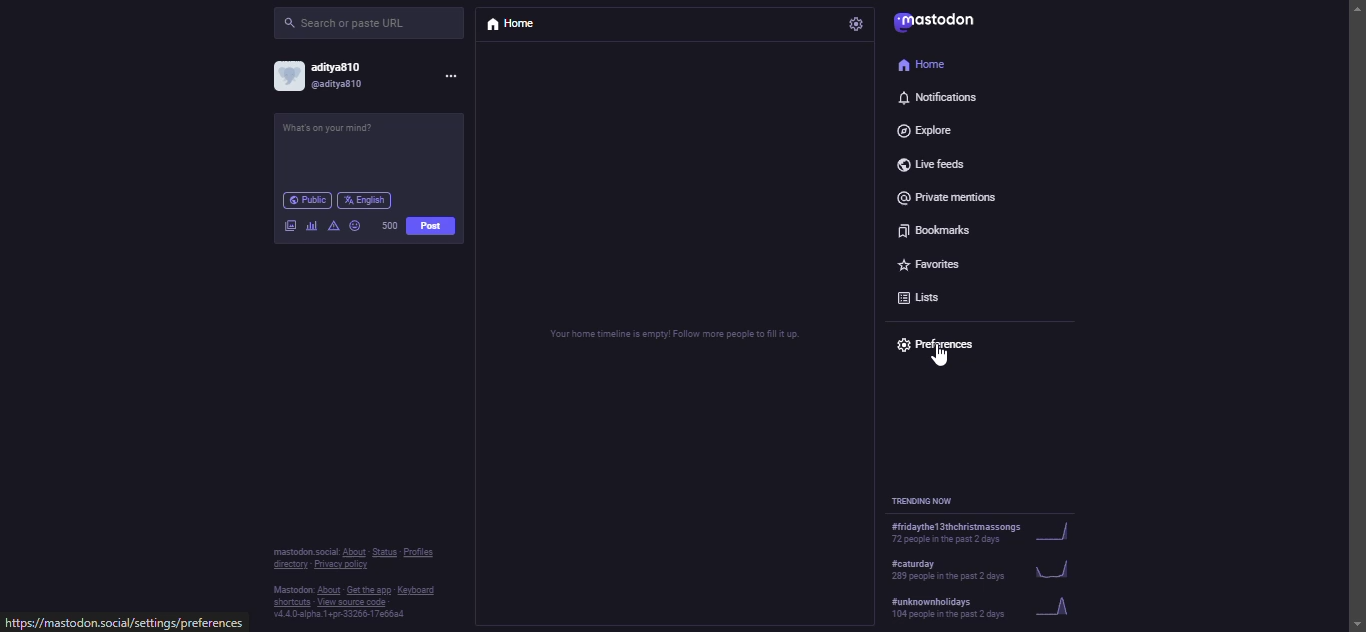 This screenshot has width=1366, height=632. I want to click on bookmarks, so click(928, 228).